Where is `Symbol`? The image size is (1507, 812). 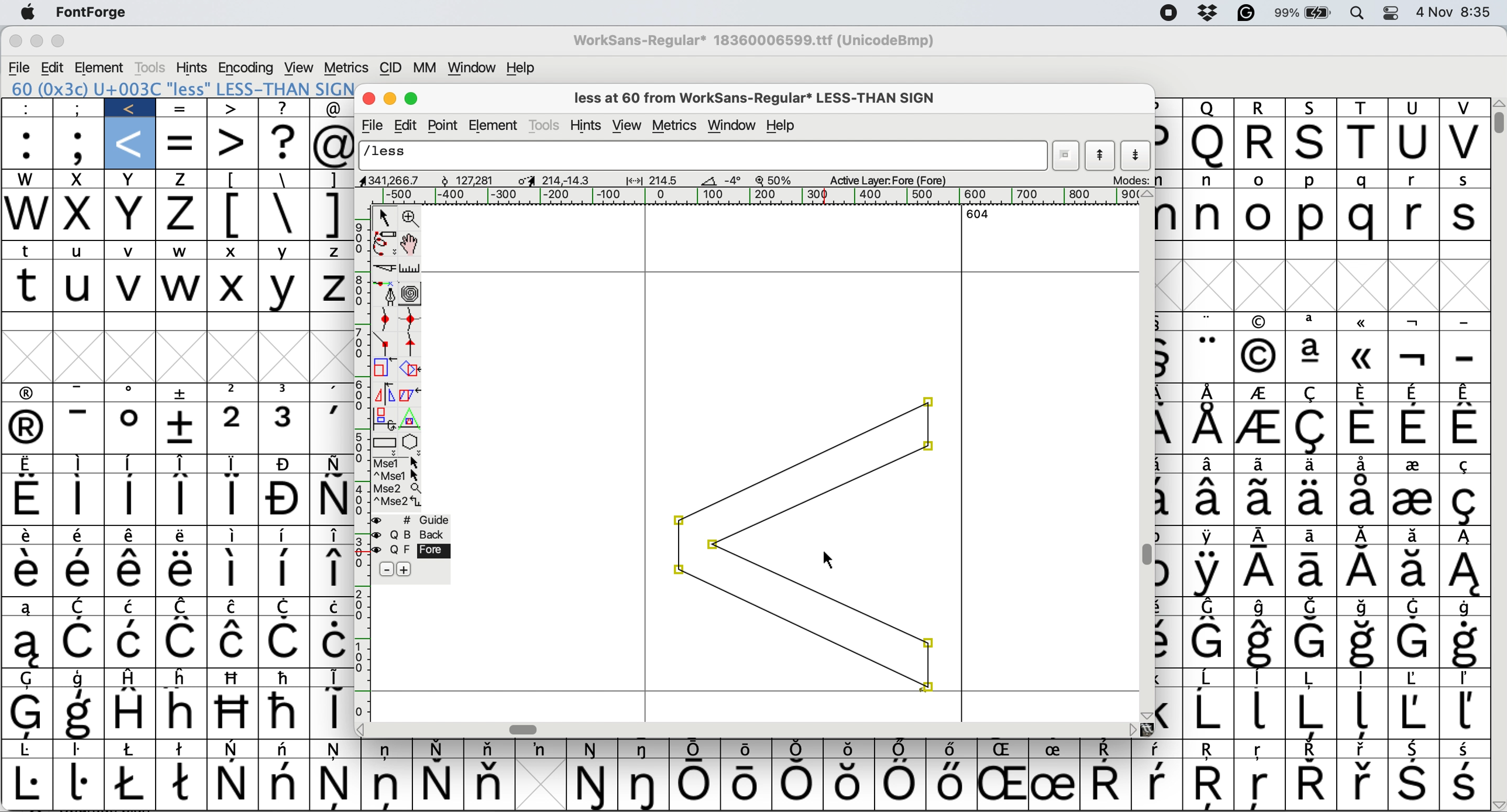
Symbol is located at coordinates (1413, 358).